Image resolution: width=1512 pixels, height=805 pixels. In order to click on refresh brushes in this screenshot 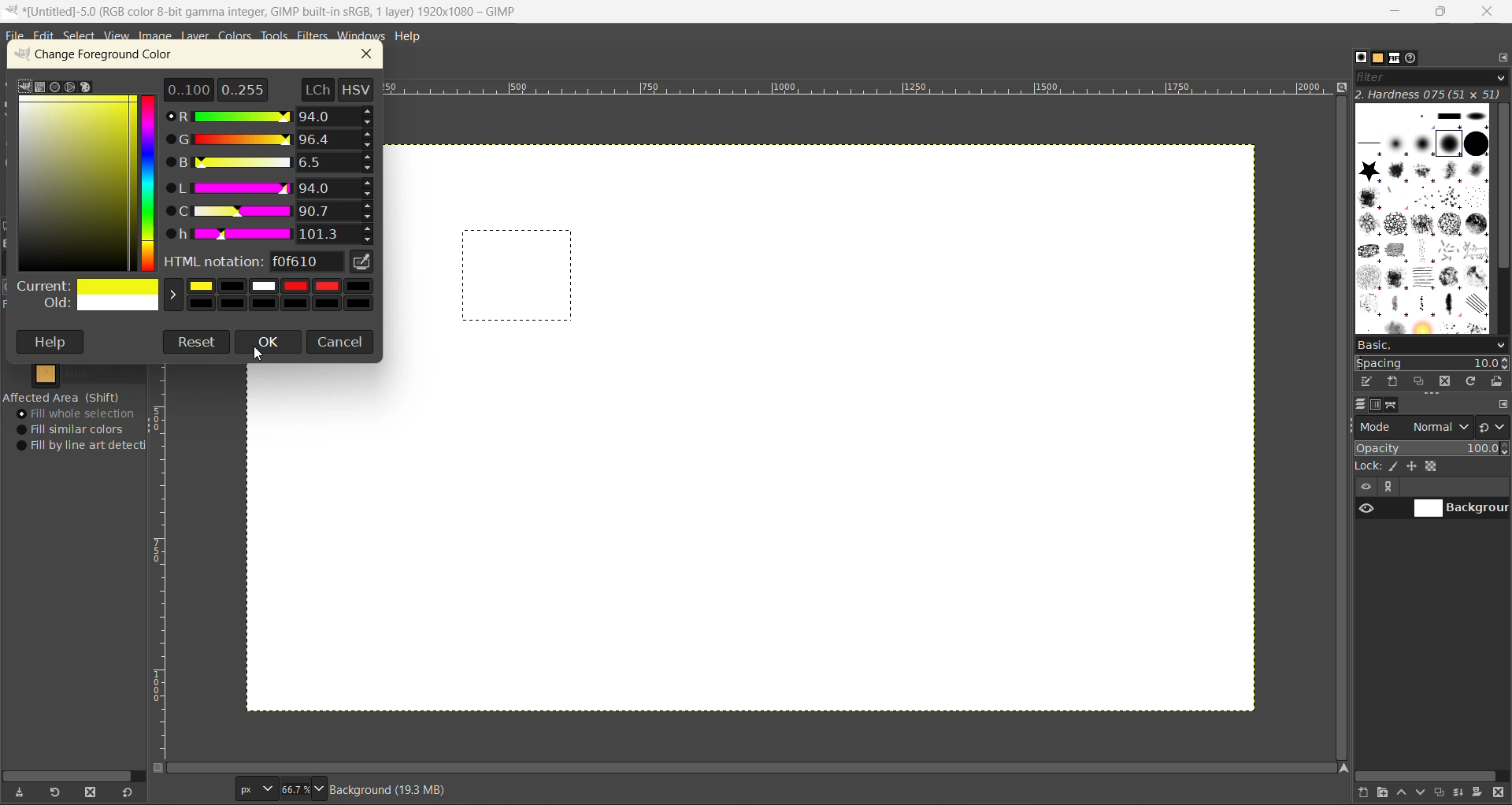, I will do `click(1470, 381)`.